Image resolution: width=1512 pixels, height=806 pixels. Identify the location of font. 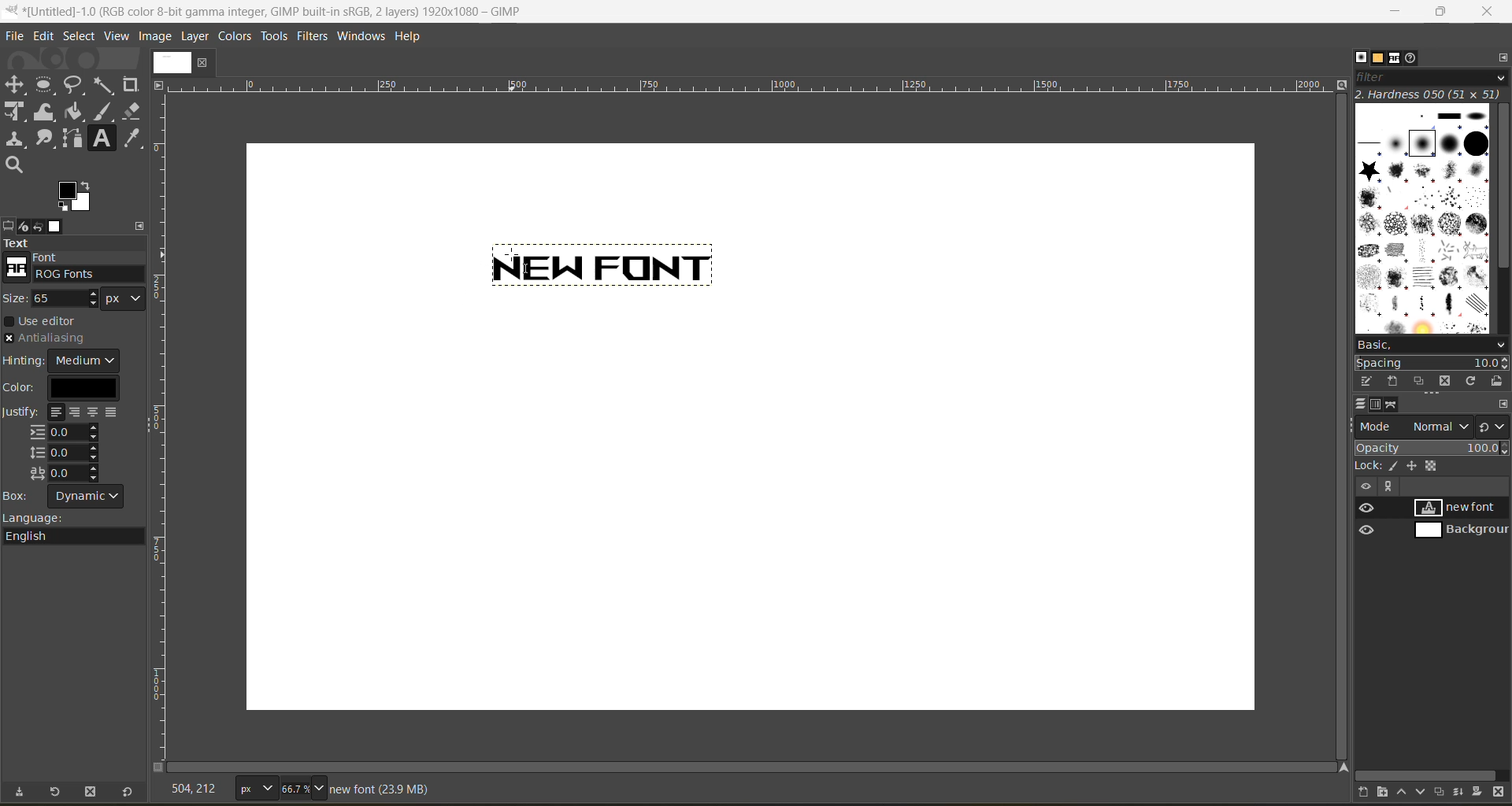
(76, 266).